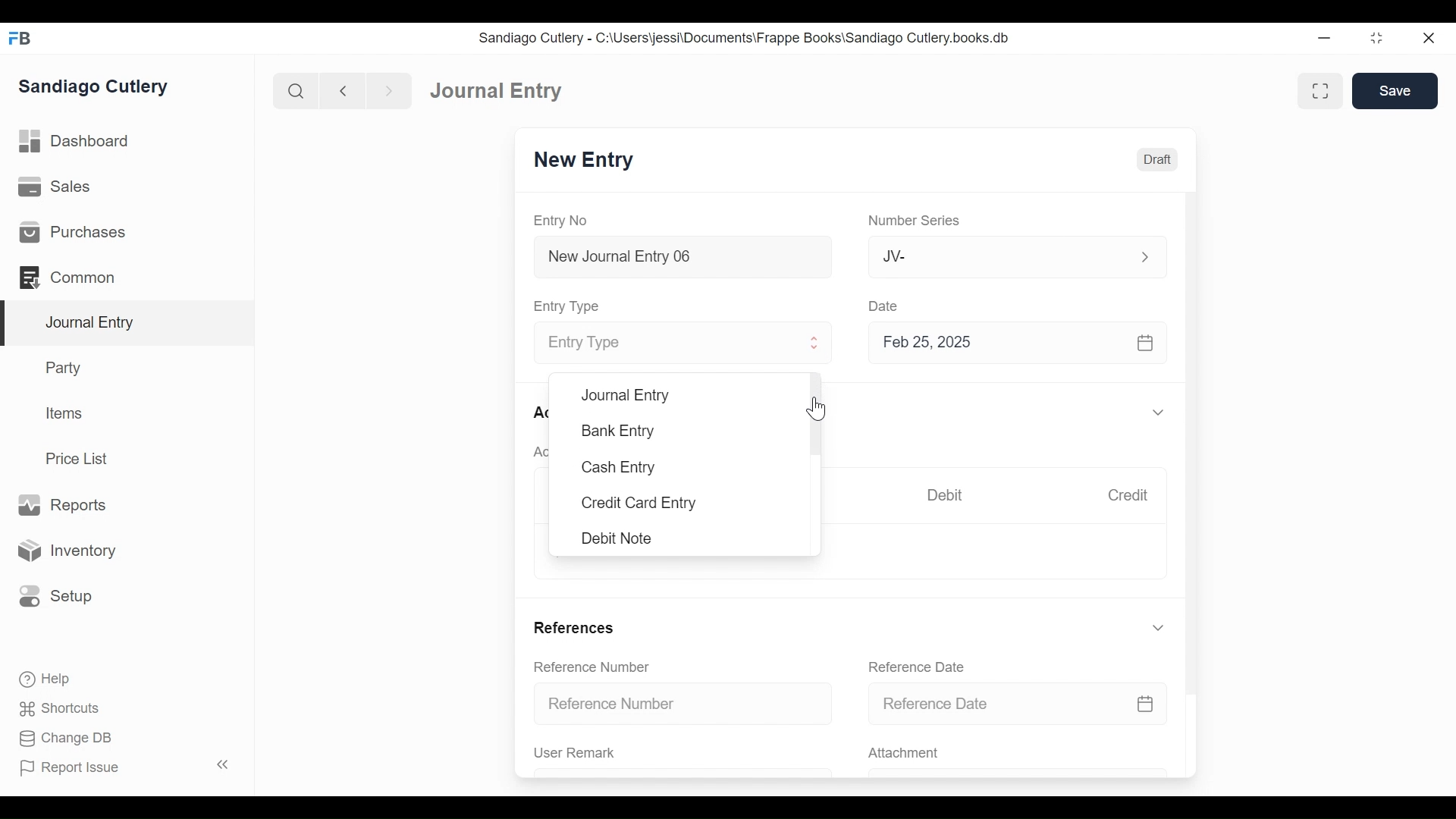 The height and width of the screenshot is (819, 1456). Describe the element at coordinates (1127, 495) in the screenshot. I see `Credit` at that location.